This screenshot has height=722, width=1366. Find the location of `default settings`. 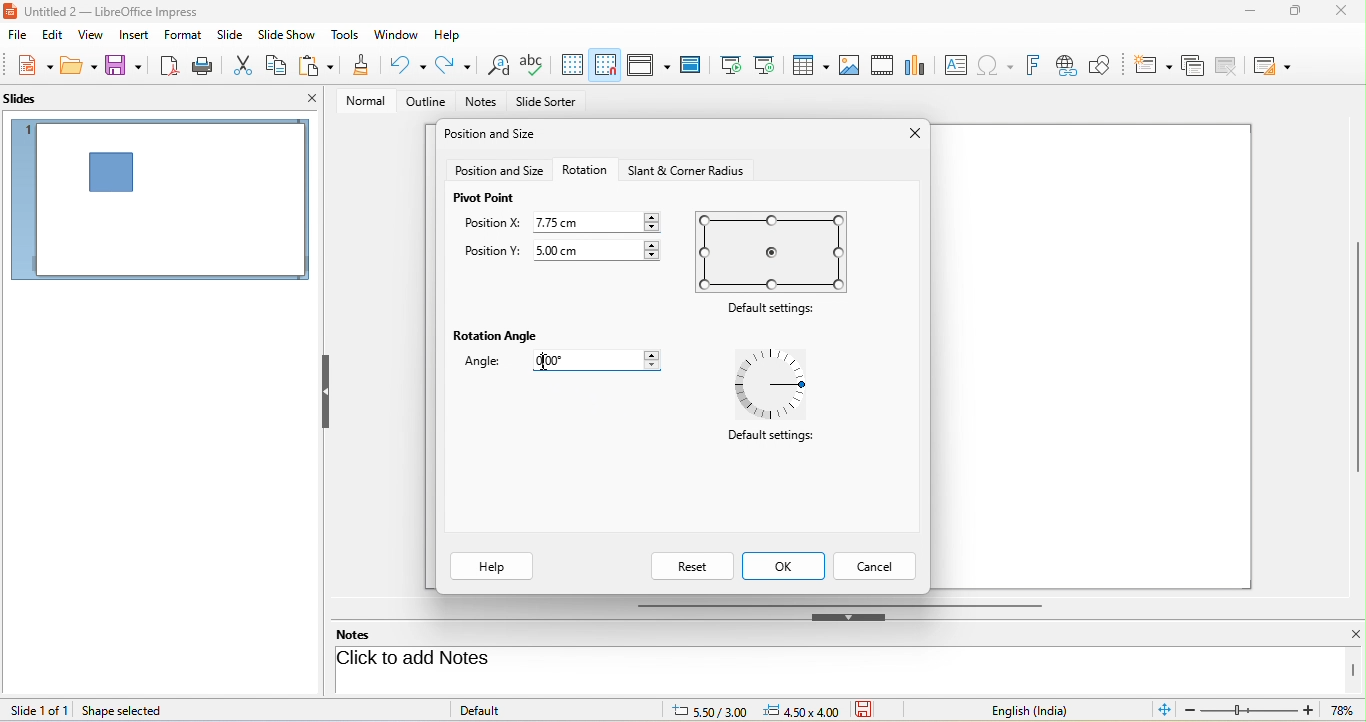

default settings is located at coordinates (777, 385).